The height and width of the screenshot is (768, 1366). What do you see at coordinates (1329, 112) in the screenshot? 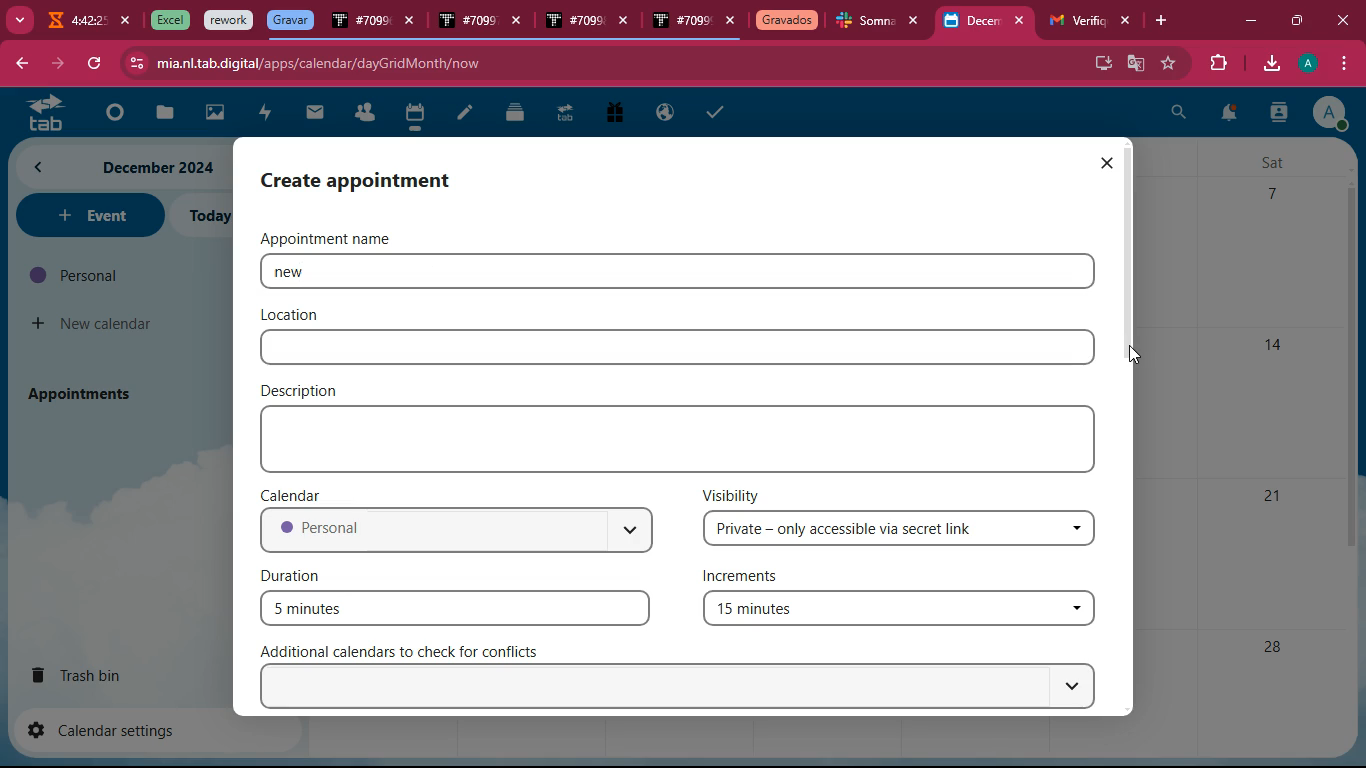
I see `profile` at bounding box center [1329, 112].